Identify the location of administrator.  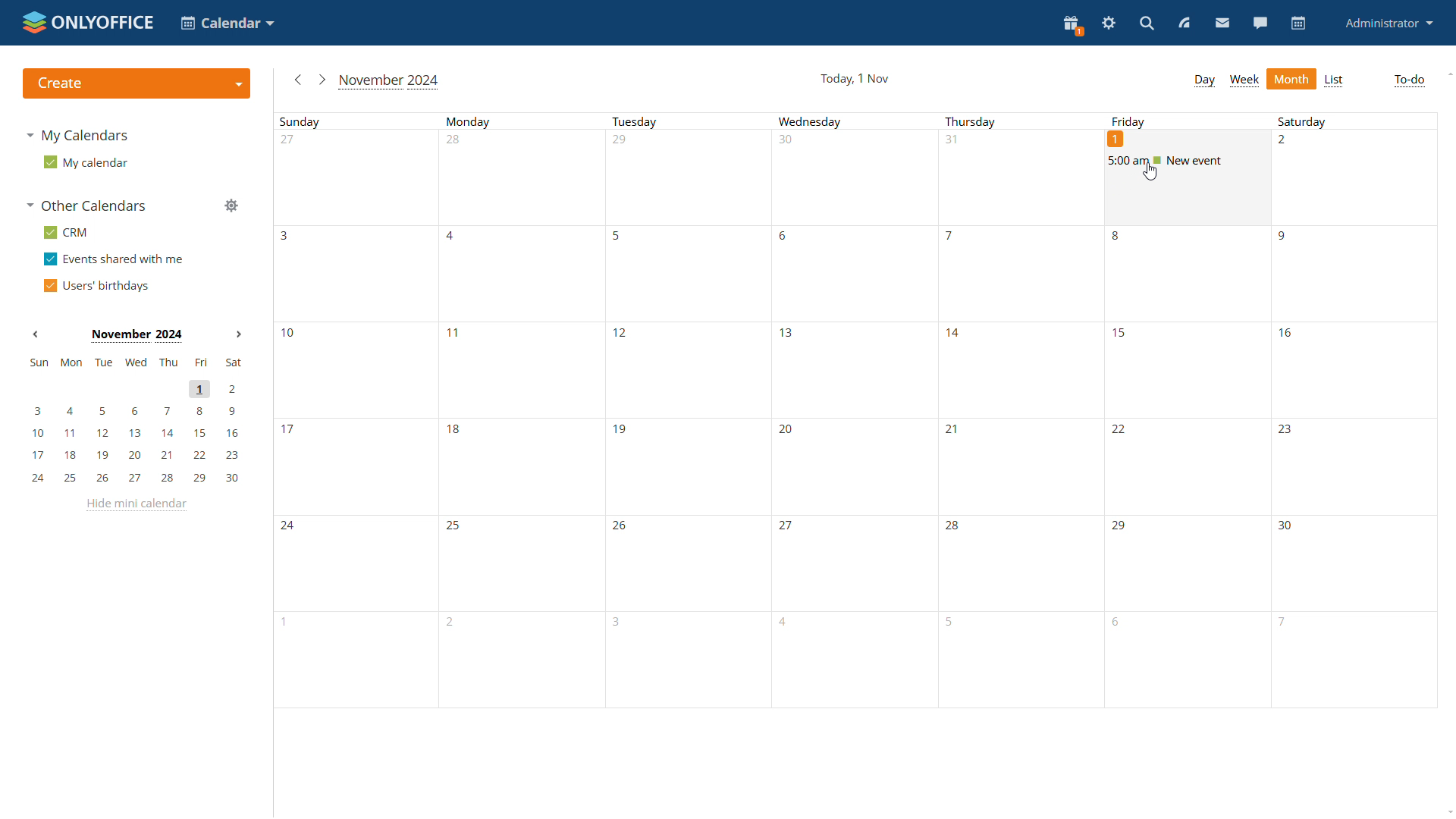
(1387, 24).